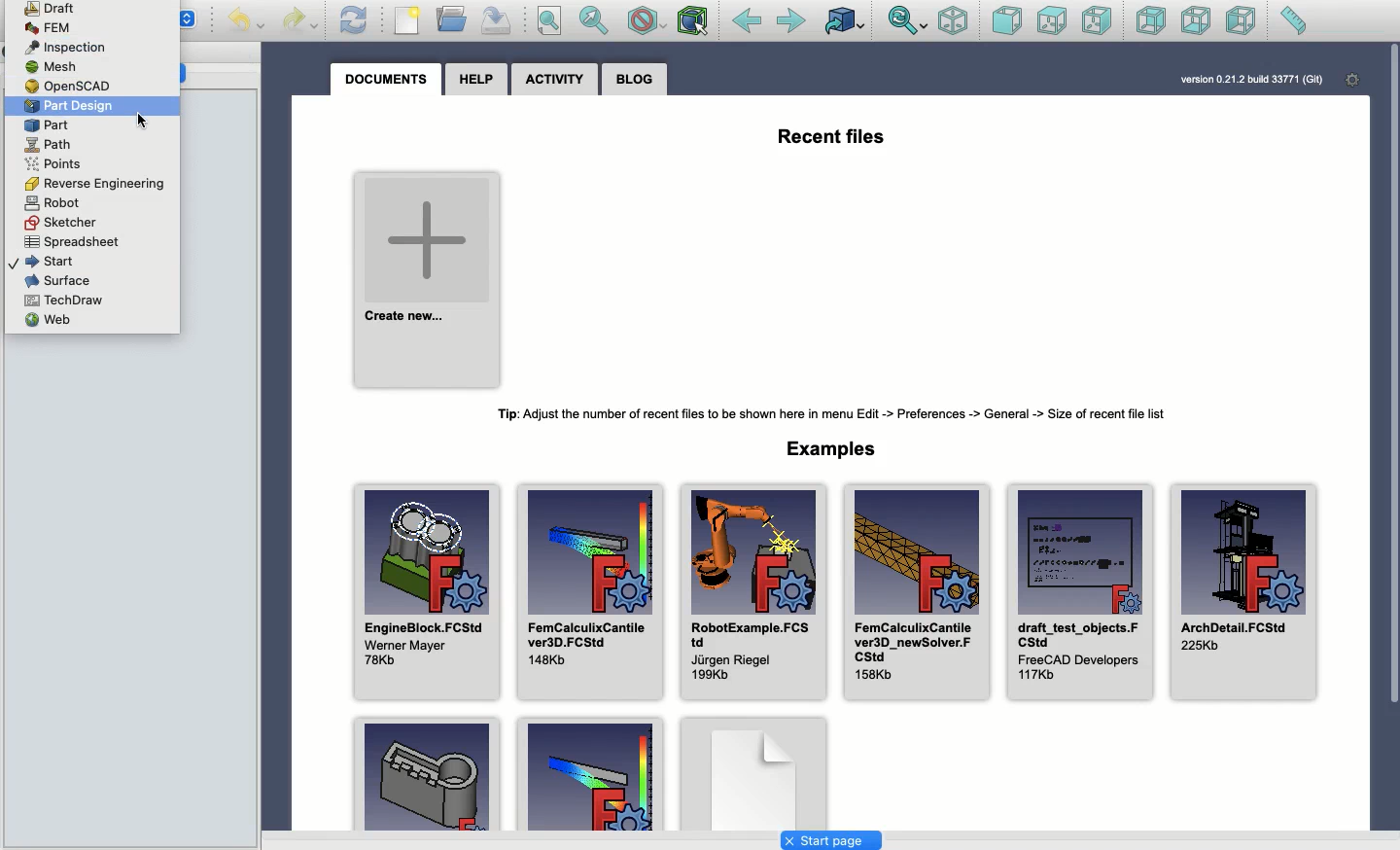  I want to click on cursor, so click(152, 119).